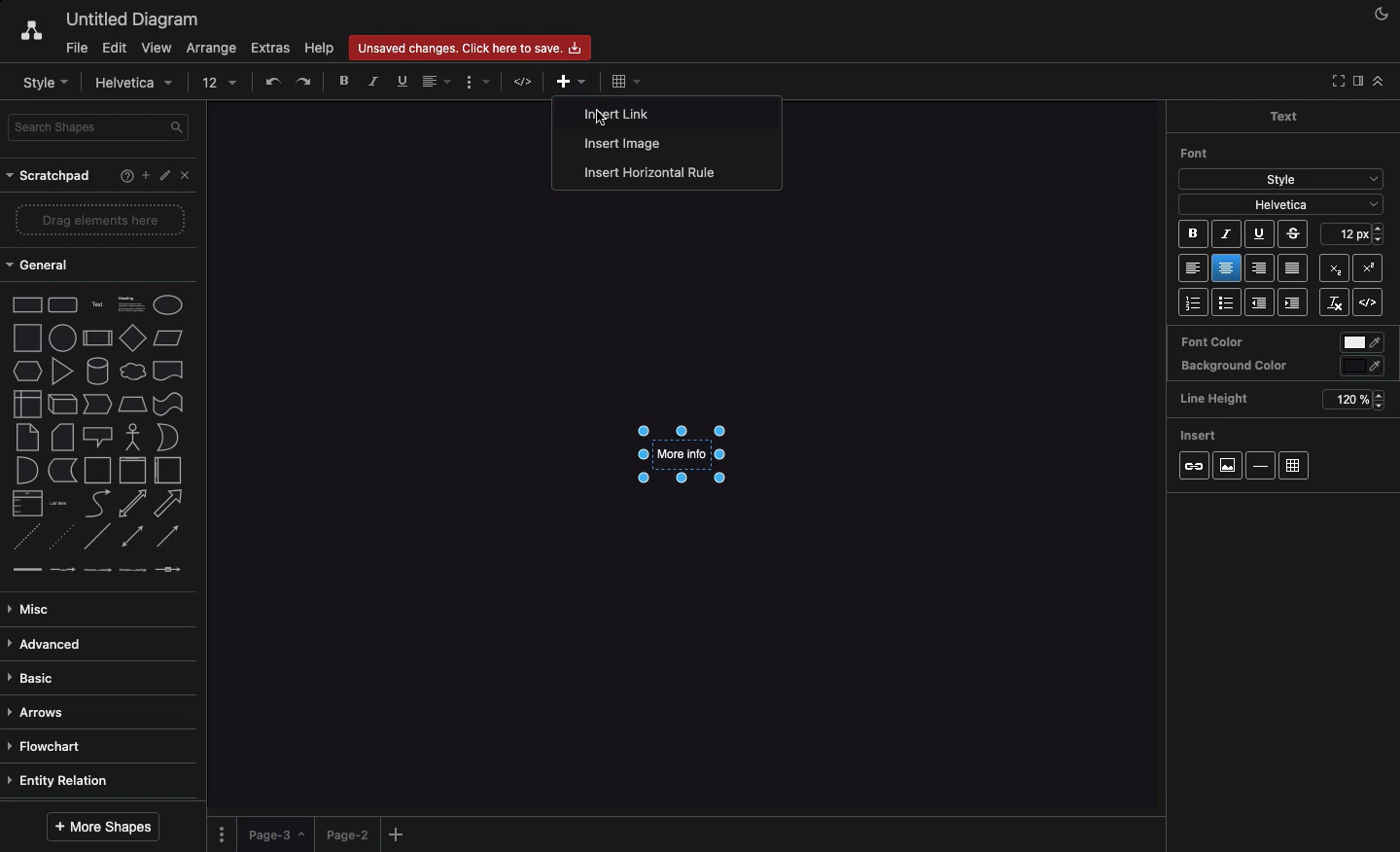 The width and height of the screenshot is (1400, 852). I want to click on 12, so click(221, 83).